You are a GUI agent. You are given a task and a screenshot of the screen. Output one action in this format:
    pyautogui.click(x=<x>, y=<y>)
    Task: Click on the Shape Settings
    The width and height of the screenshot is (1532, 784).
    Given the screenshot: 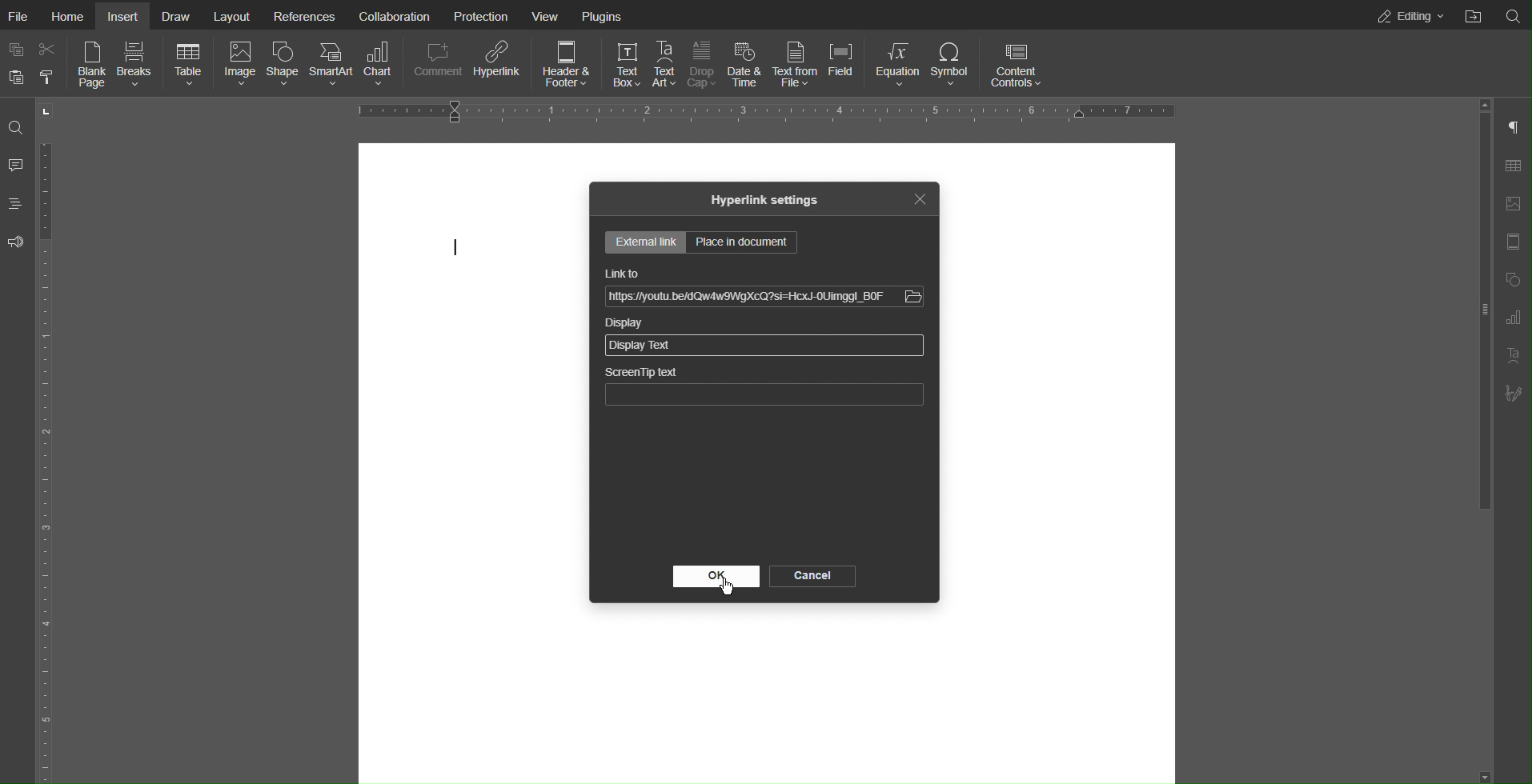 What is the action you would take?
    pyautogui.click(x=1512, y=279)
    